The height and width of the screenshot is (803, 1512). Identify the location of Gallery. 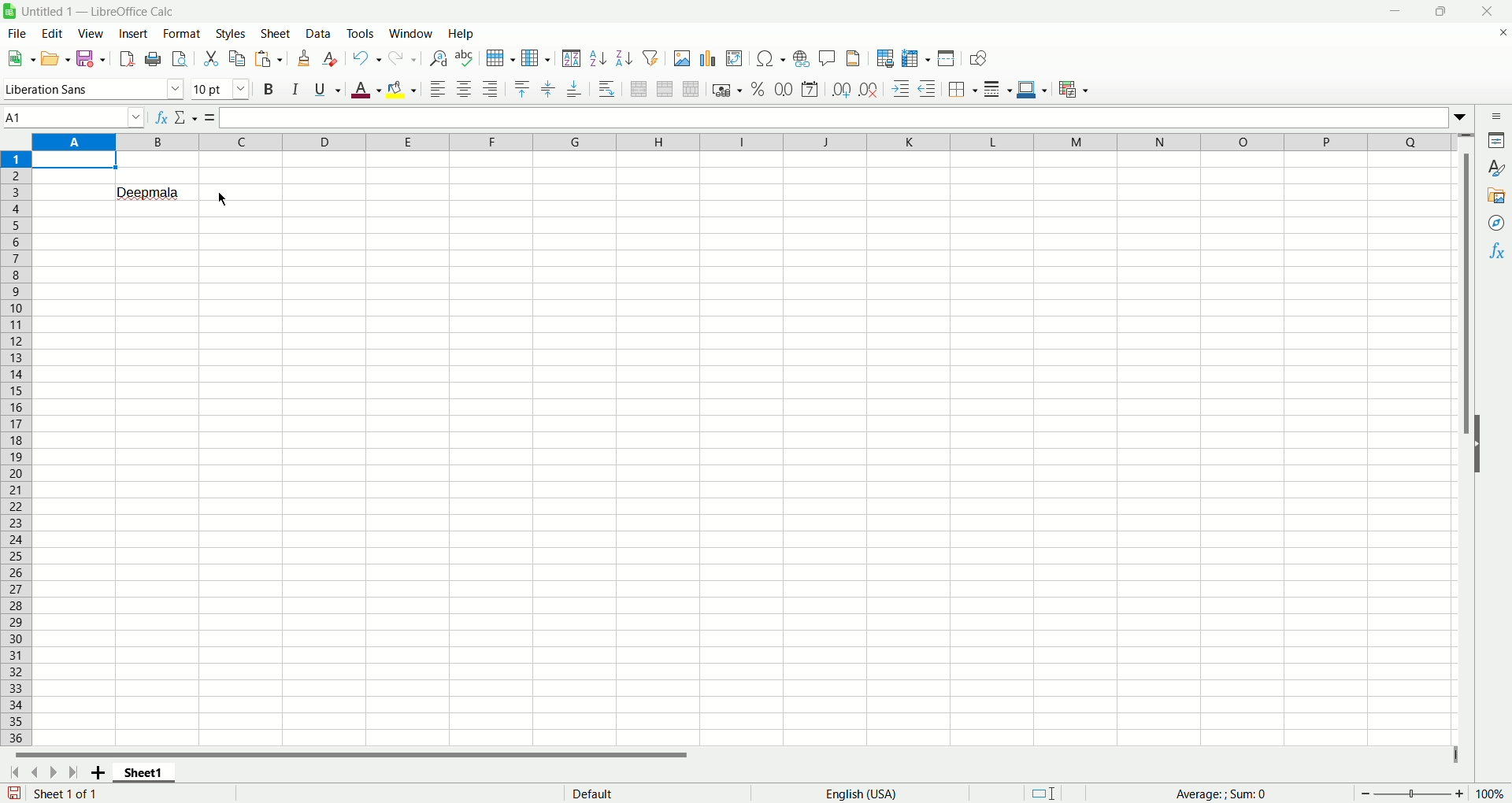
(1495, 196).